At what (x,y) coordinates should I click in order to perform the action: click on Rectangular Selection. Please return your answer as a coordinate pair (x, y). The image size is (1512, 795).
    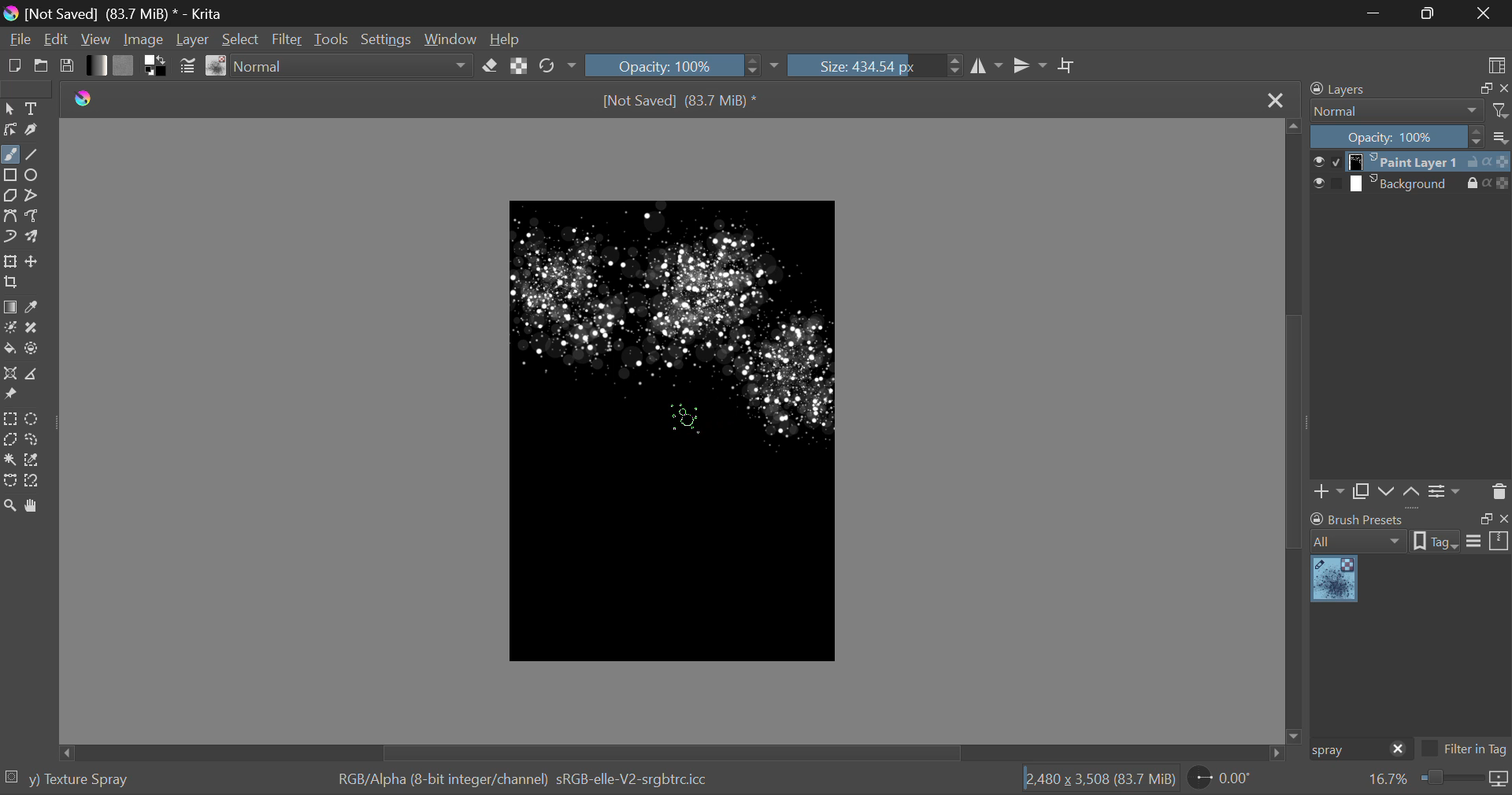
    Looking at the image, I should click on (10, 420).